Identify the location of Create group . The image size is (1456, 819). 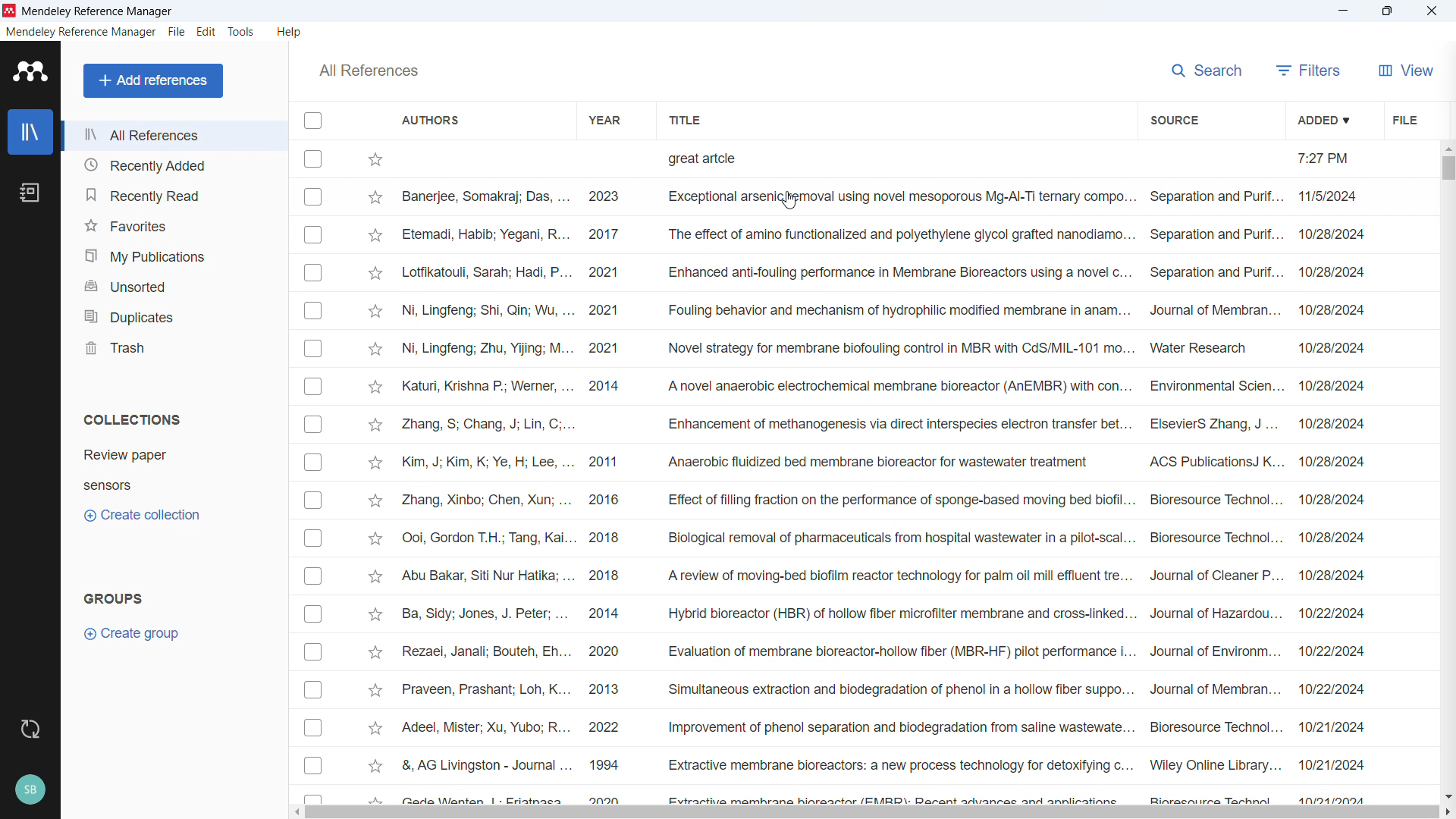
(133, 633).